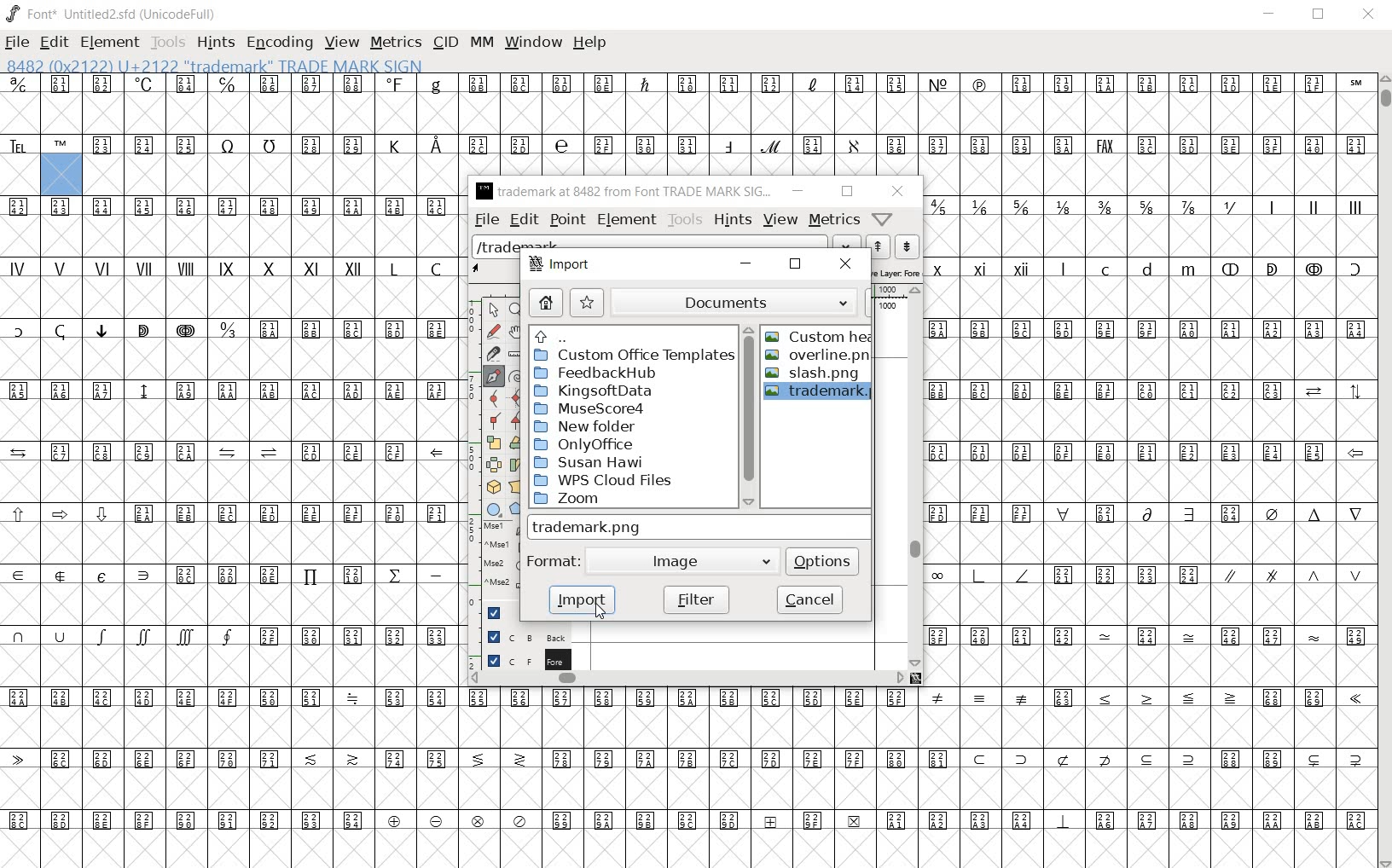 The width and height of the screenshot is (1392, 868). What do you see at coordinates (493, 331) in the screenshot?
I see `draw a freehand curve` at bounding box center [493, 331].